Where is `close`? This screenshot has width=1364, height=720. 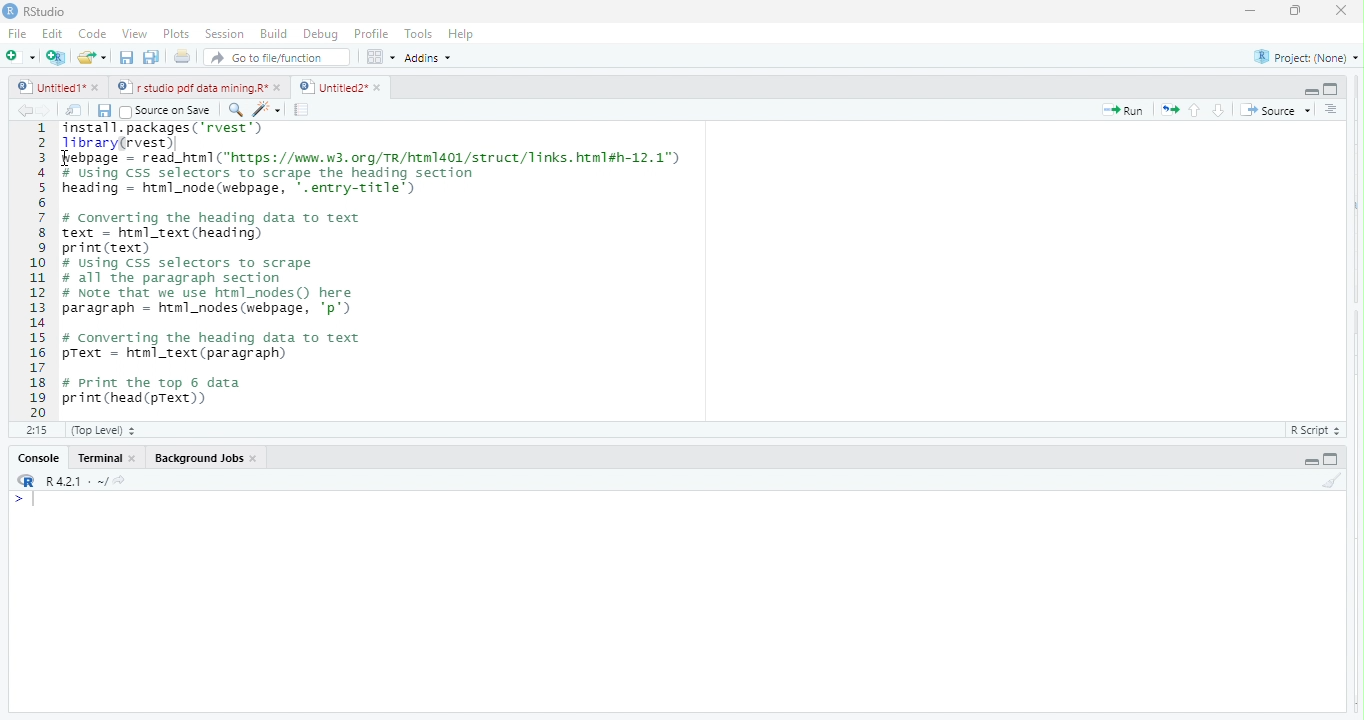
close is located at coordinates (137, 460).